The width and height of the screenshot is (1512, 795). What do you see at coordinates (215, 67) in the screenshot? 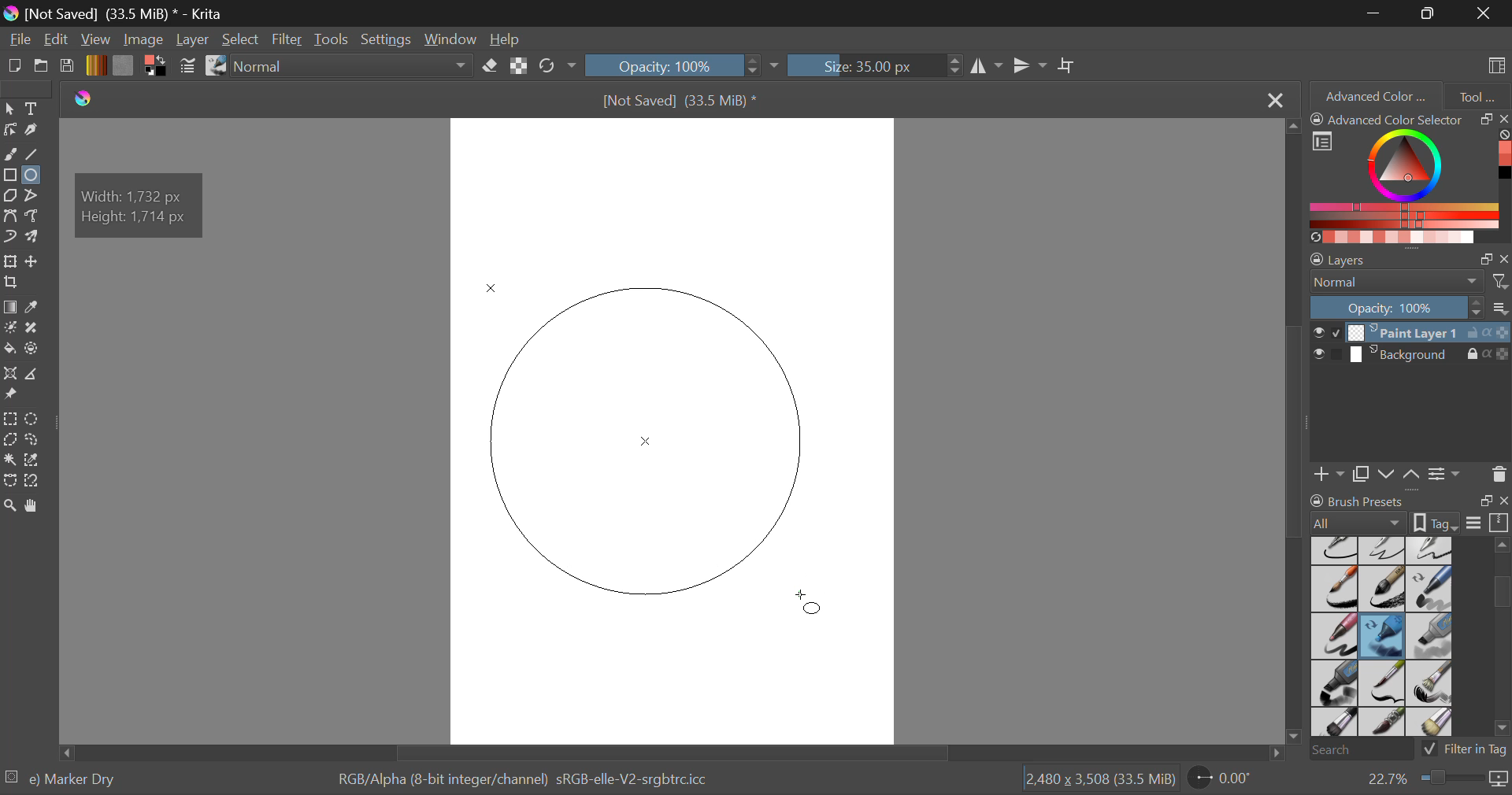
I see `Stroke Type` at bounding box center [215, 67].